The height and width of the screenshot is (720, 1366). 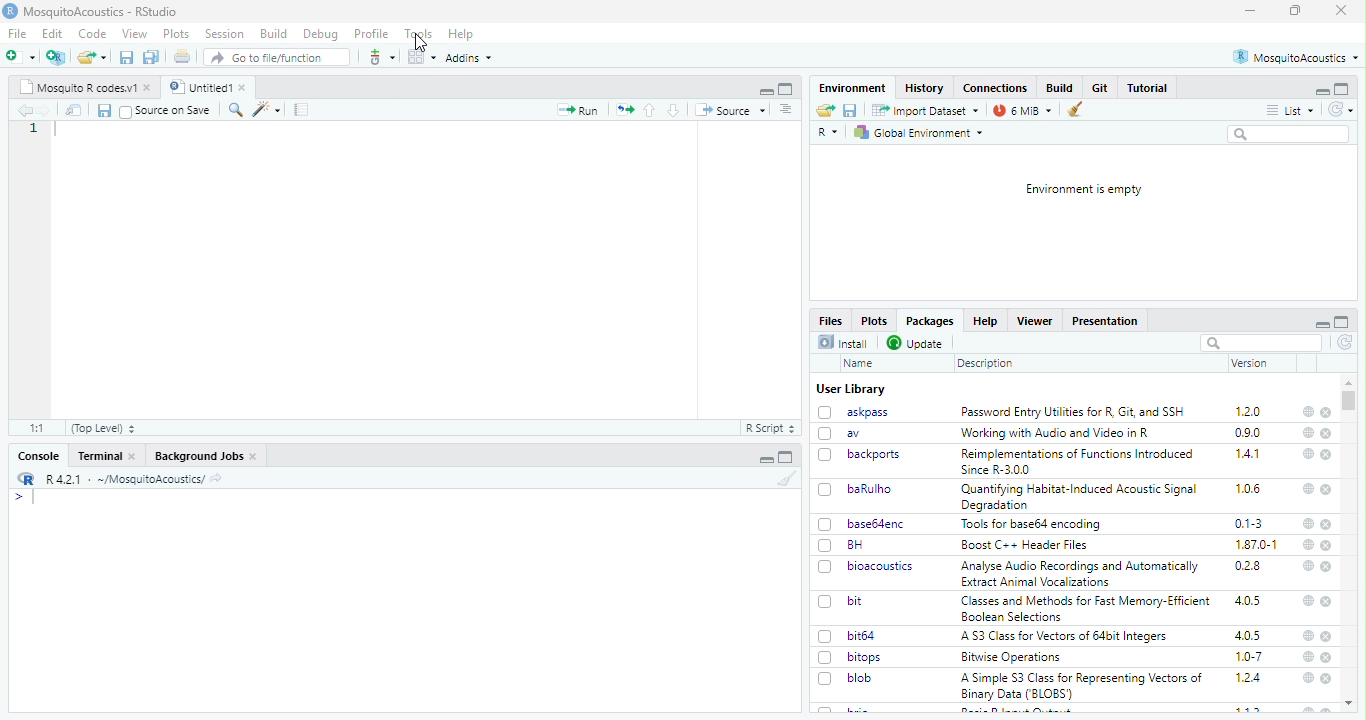 What do you see at coordinates (1326, 434) in the screenshot?
I see `close` at bounding box center [1326, 434].